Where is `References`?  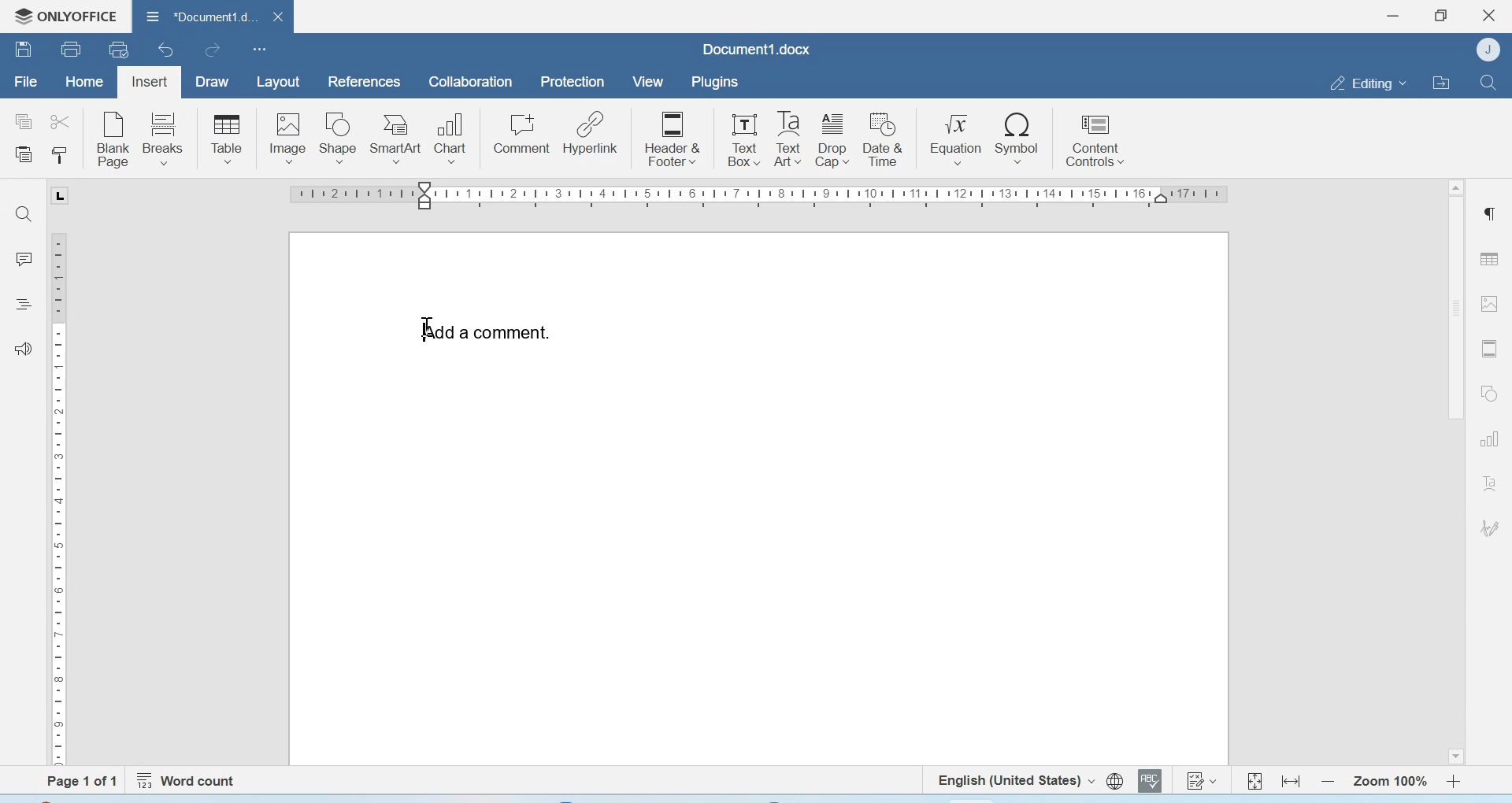 References is located at coordinates (365, 81).